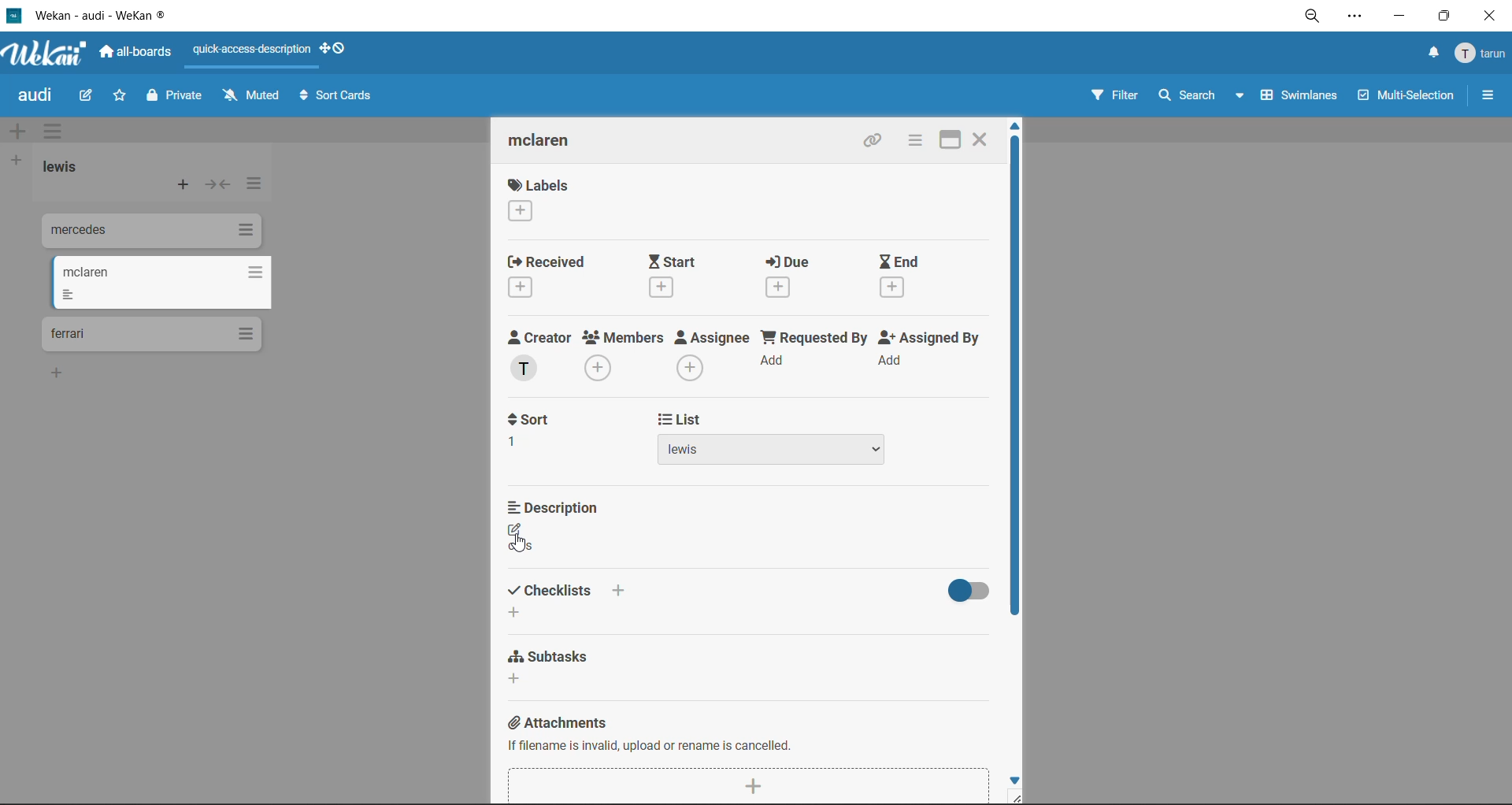  I want to click on cards, so click(160, 283).